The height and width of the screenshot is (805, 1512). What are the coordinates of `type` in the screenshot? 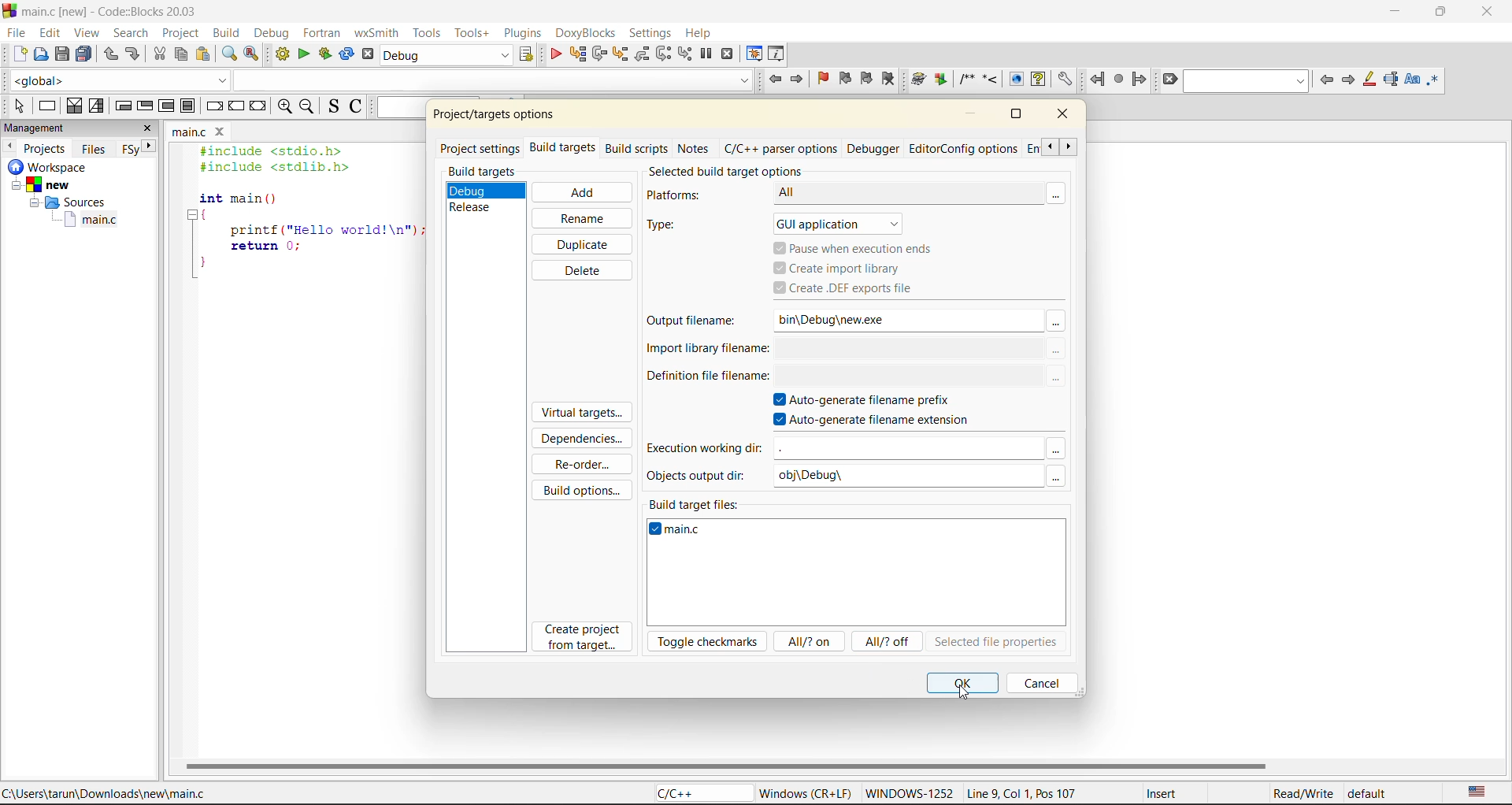 It's located at (665, 222).